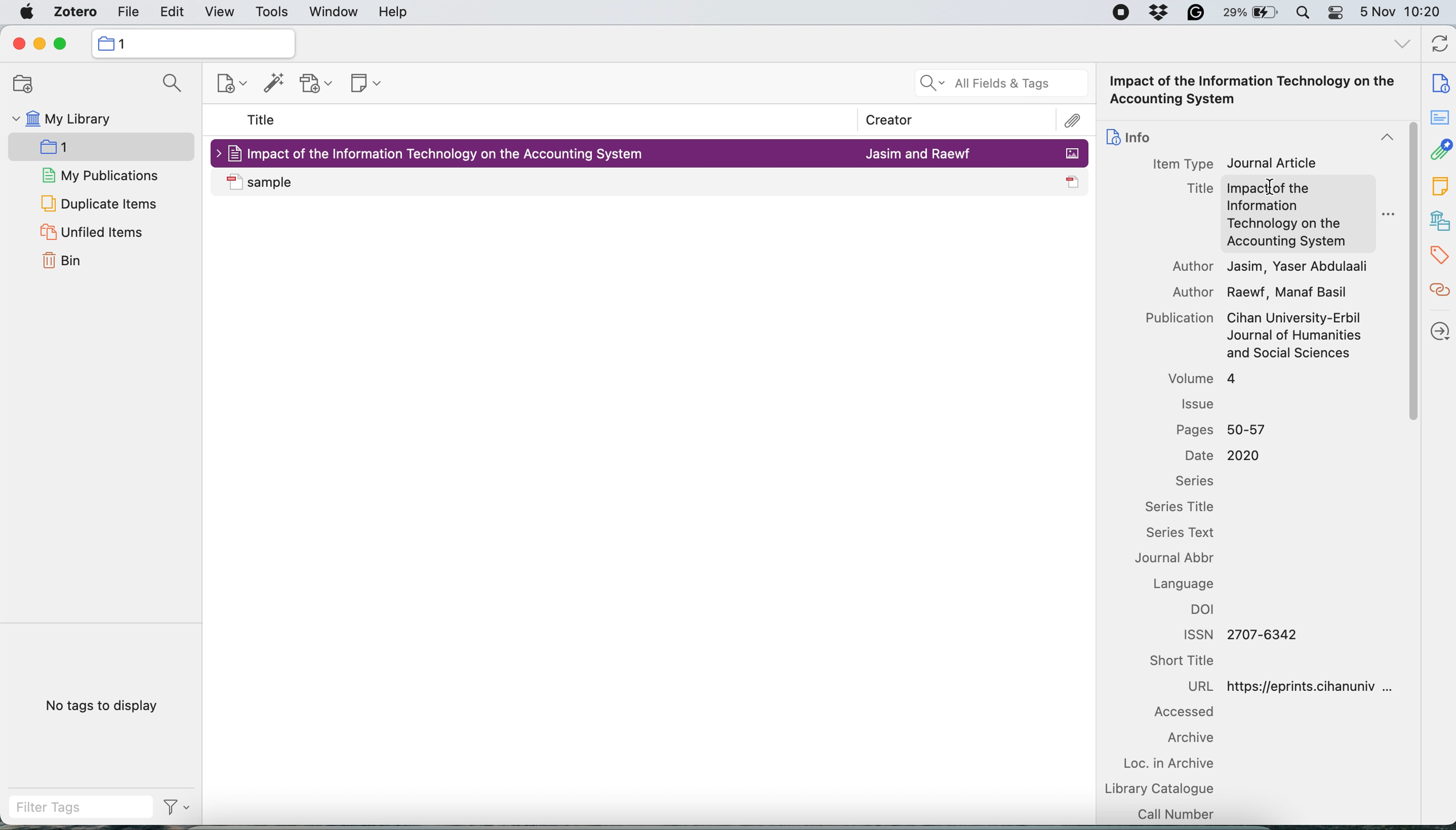 The height and width of the screenshot is (830, 1456). What do you see at coordinates (25, 13) in the screenshot?
I see `system logo` at bounding box center [25, 13].